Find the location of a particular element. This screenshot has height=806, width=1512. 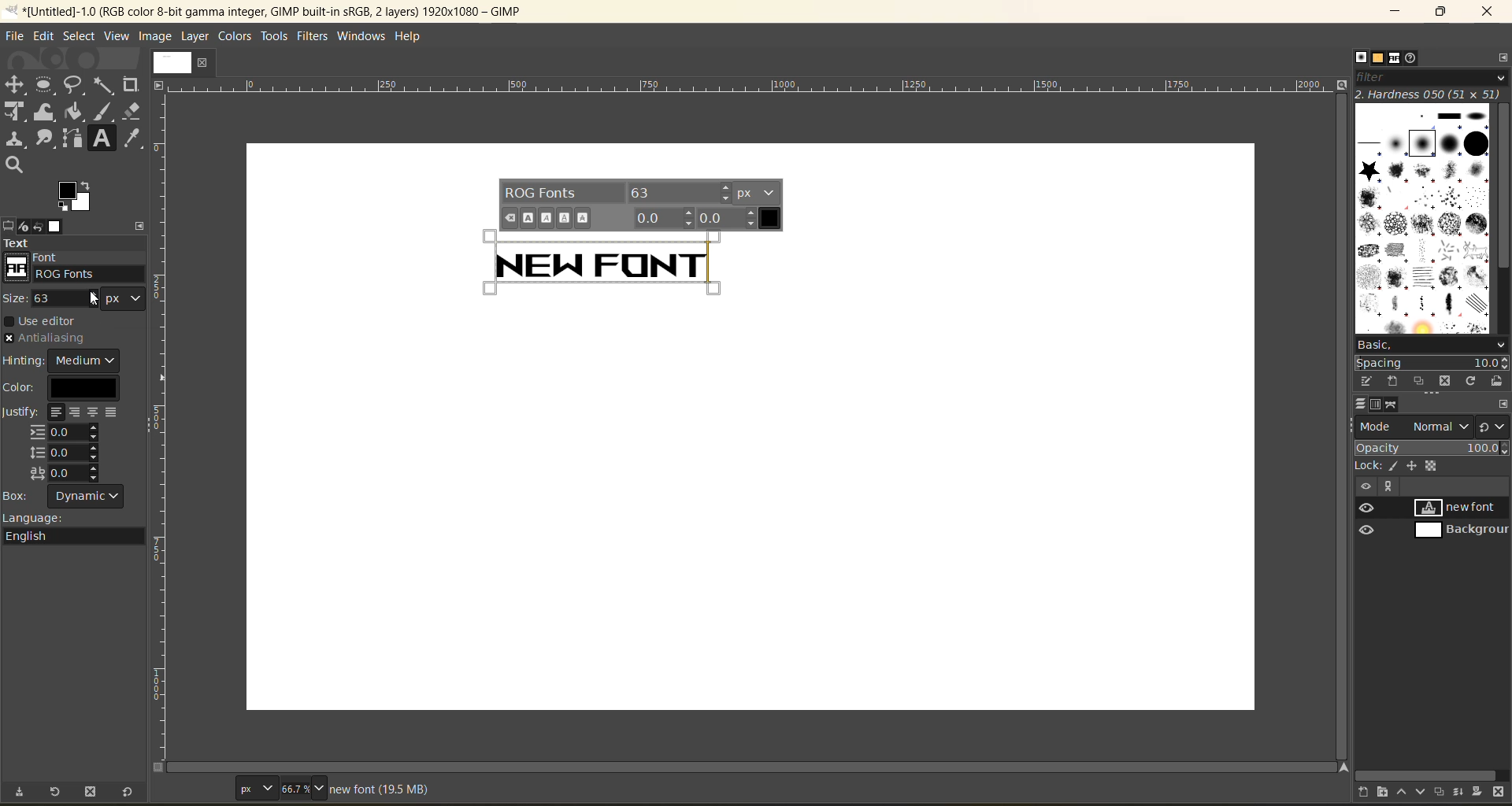

use editor is located at coordinates (46, 322).